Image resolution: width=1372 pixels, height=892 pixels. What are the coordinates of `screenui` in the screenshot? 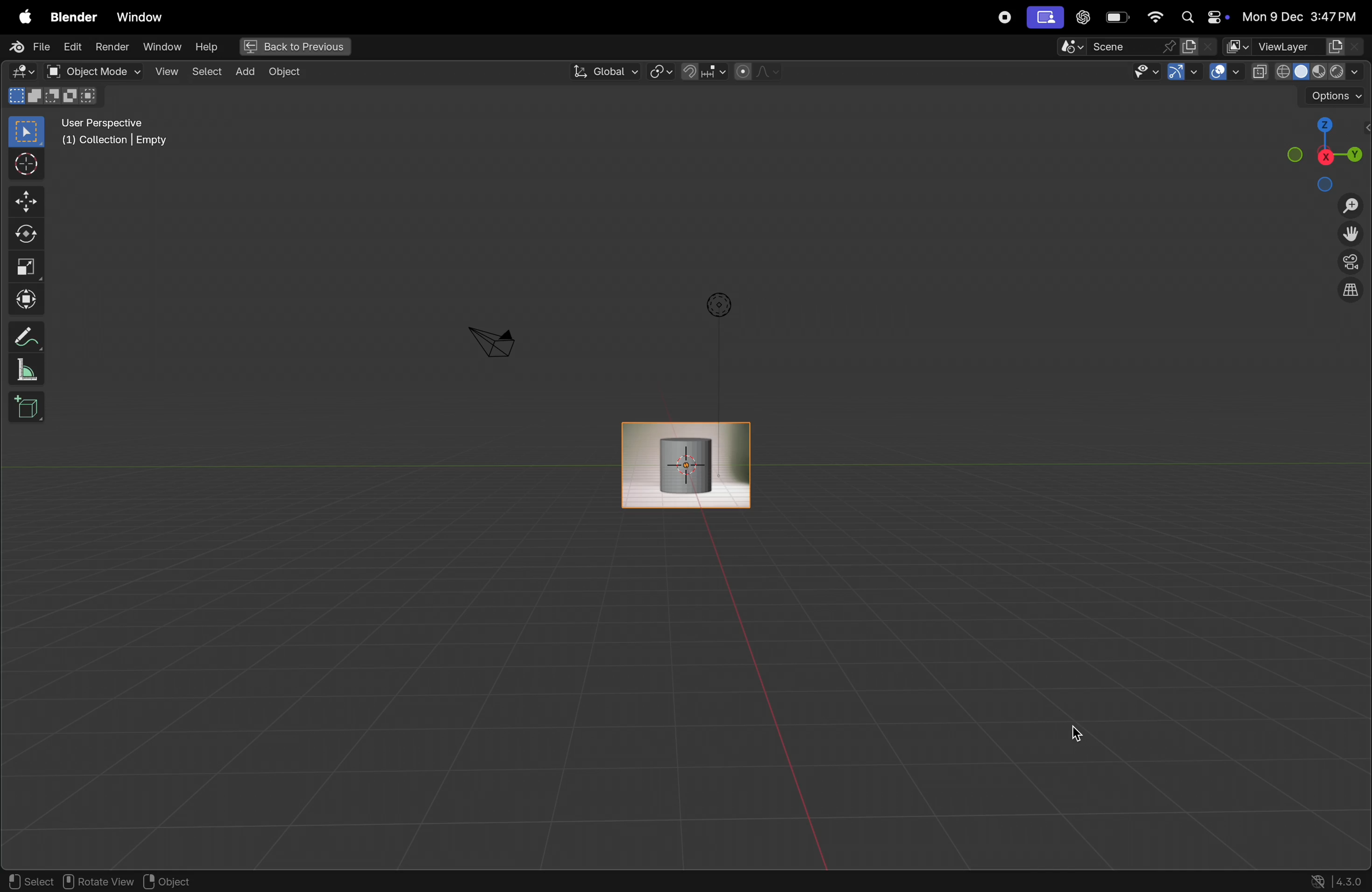 It's located at (1044, 17).